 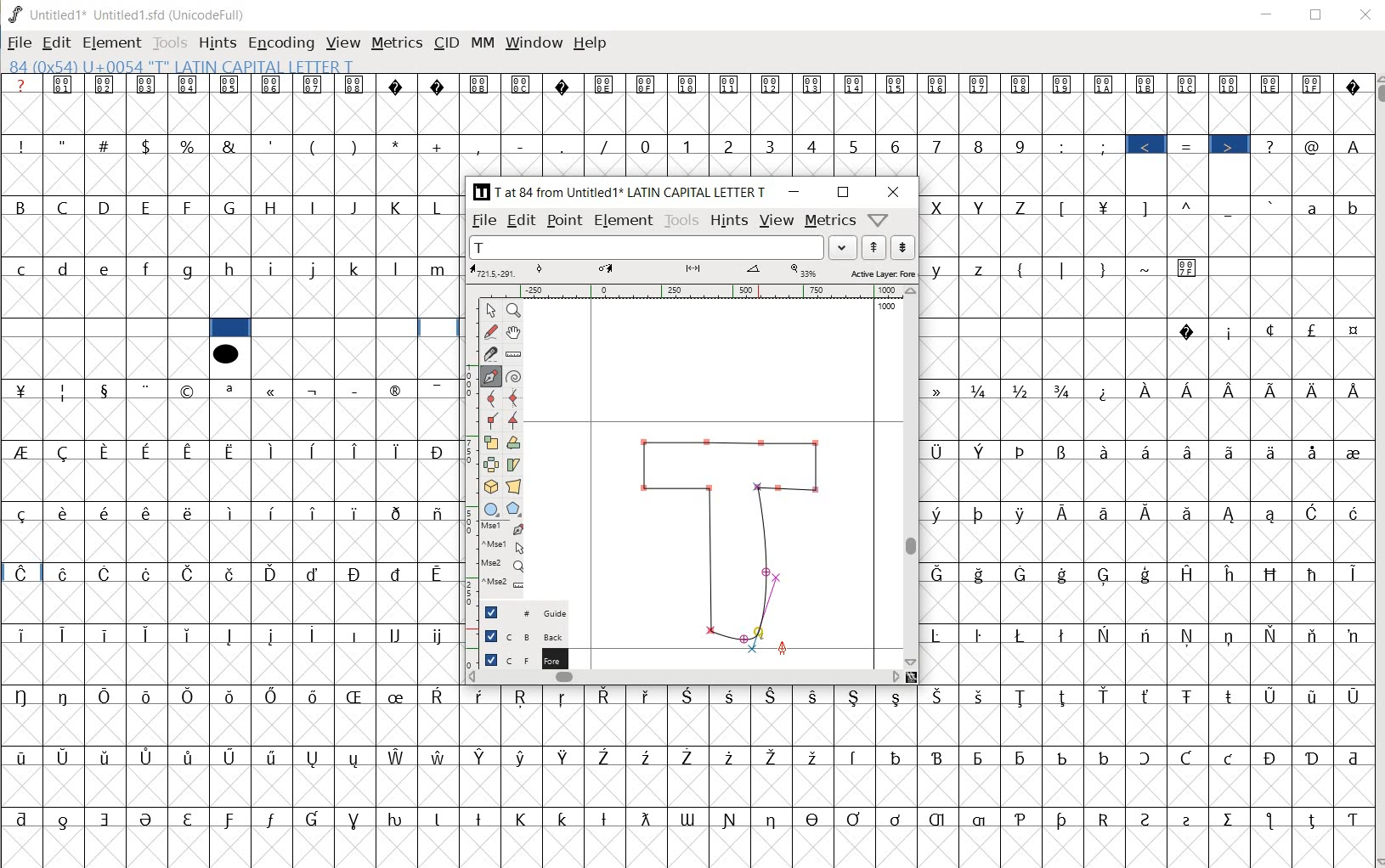 I want to click on Symbol, so click(x=523, y=757).